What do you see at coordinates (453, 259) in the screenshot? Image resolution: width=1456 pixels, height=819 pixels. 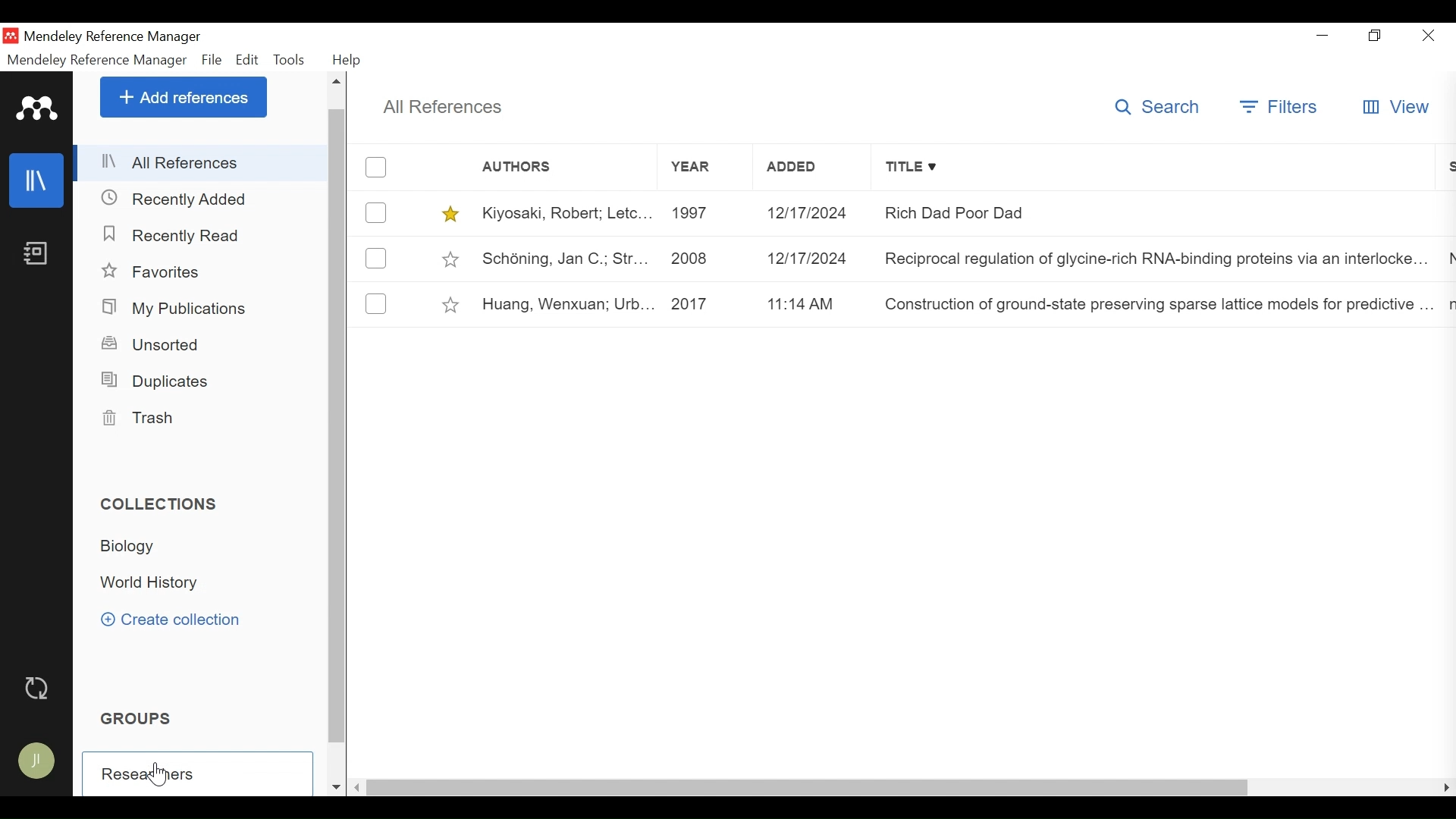 I see `toggle Favorites` at bounding box center [453, 259].